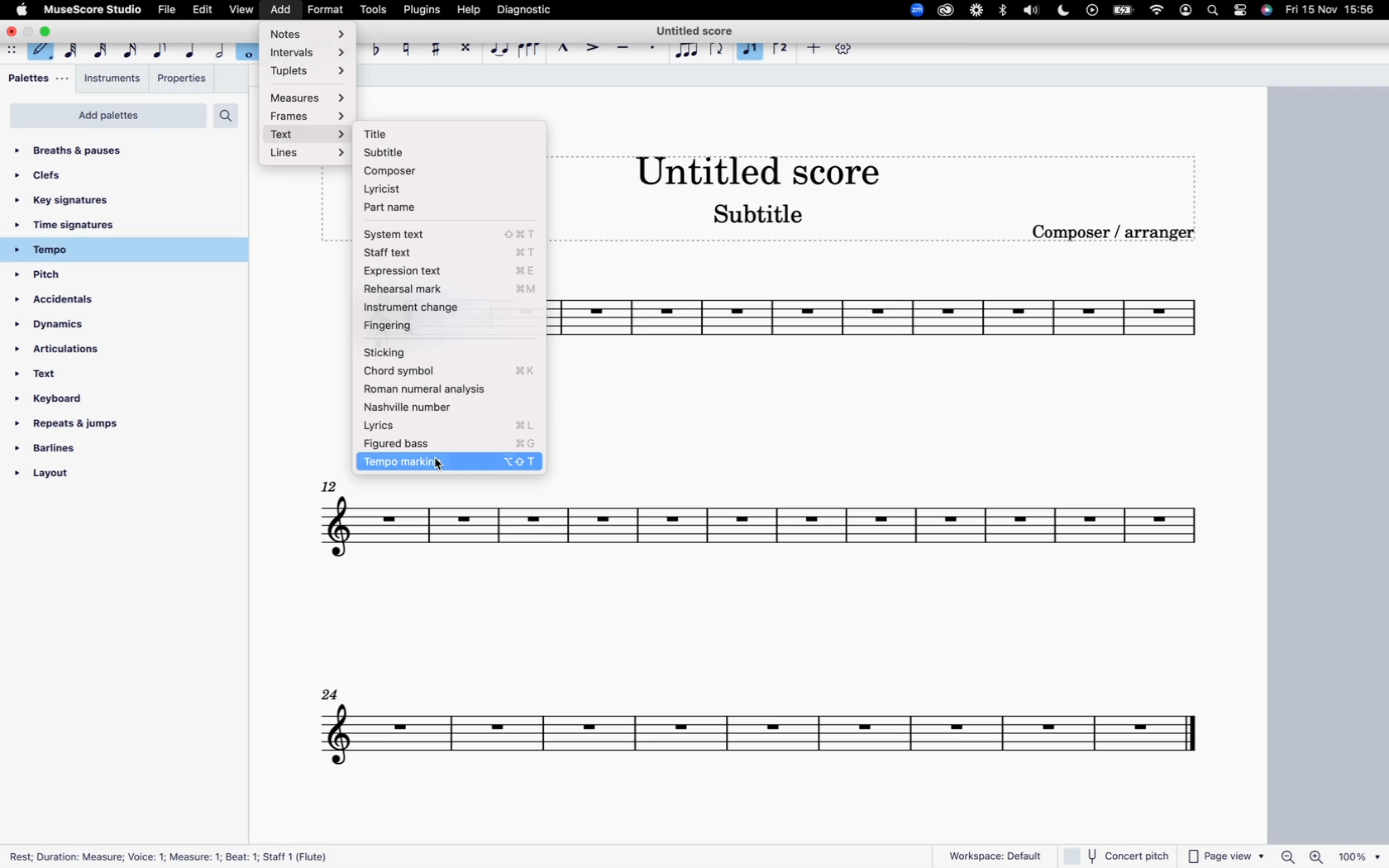  Describe the element at coordinates (84, 276) in the screenshot. I see `pitch` at that location.